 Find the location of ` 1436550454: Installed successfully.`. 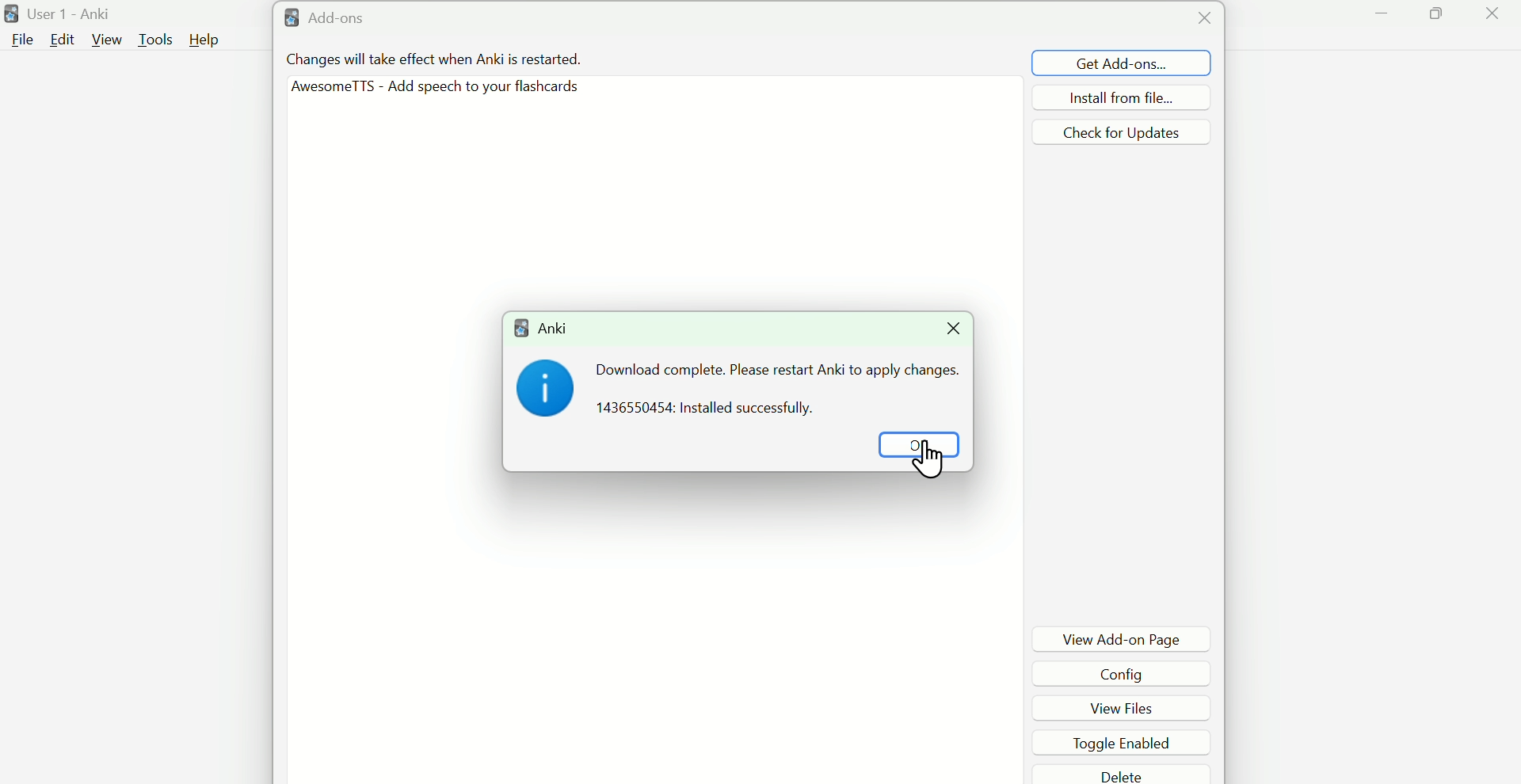

 1436550454: Installed successfully. is located at coordinates (711, 406).